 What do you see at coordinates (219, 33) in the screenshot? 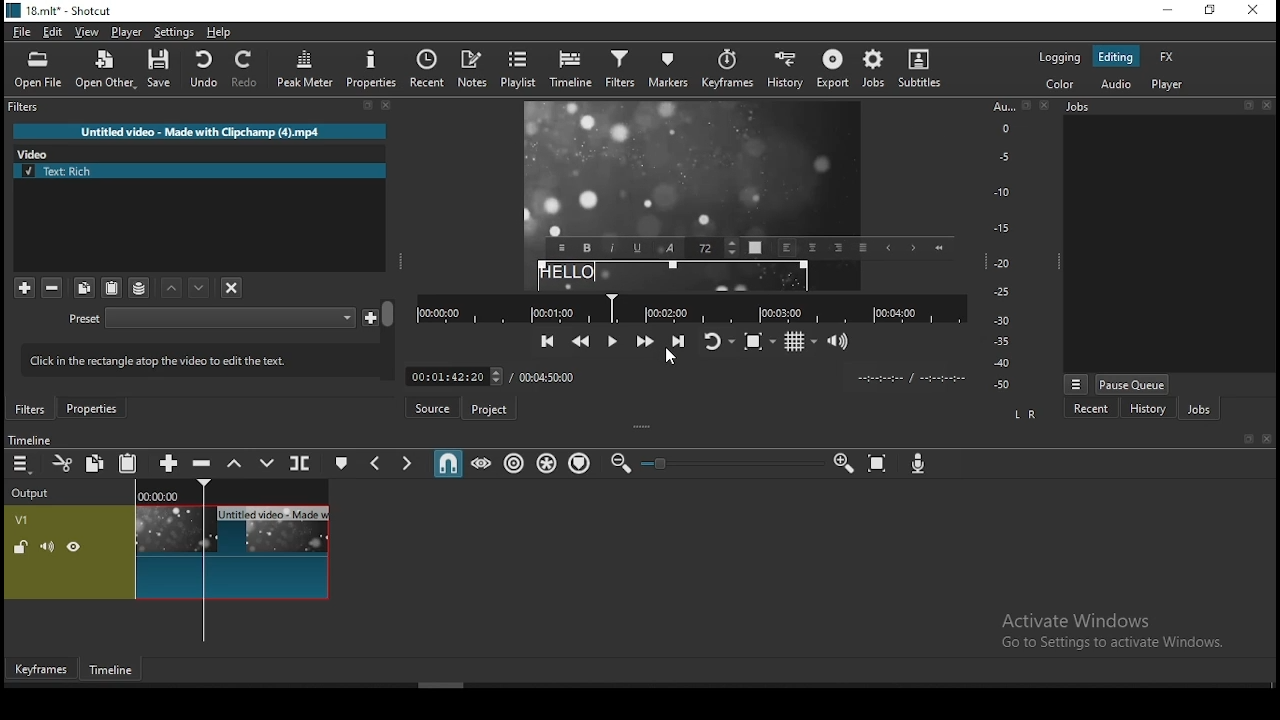
I see `help` at bounding box center [219, 33].